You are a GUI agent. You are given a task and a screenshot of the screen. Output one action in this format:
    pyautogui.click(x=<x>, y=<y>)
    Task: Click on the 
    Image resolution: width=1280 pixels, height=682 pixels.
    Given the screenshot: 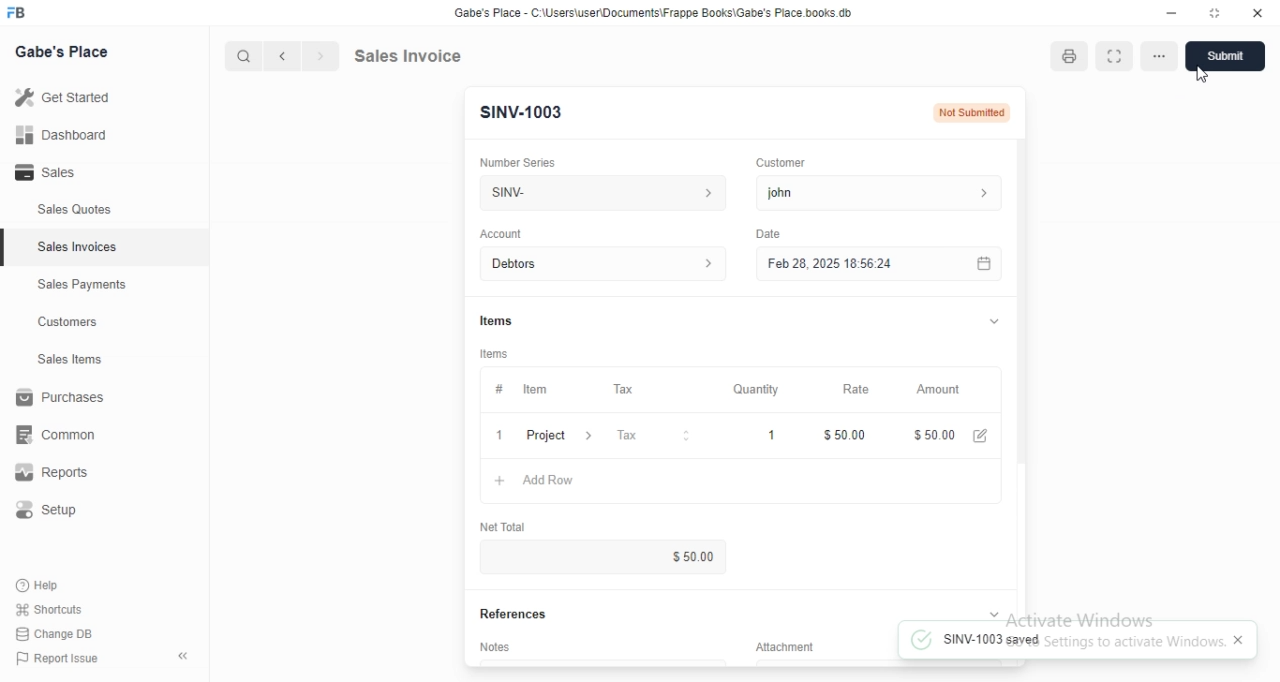 What is the action you would take?
    pyautogui.click(x=498, y=389)
    